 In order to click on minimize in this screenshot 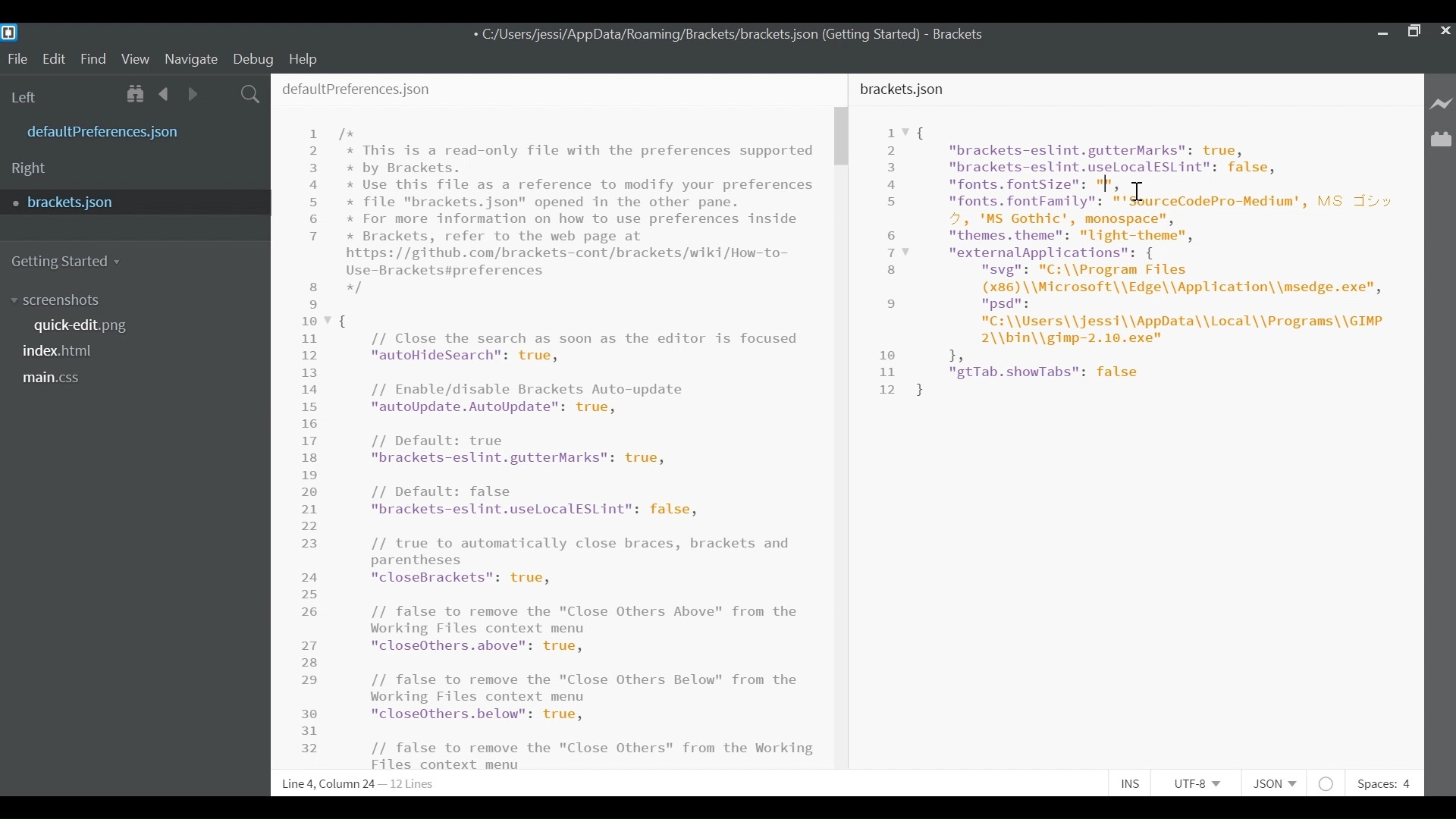, I will do `click(1381, 33)`.